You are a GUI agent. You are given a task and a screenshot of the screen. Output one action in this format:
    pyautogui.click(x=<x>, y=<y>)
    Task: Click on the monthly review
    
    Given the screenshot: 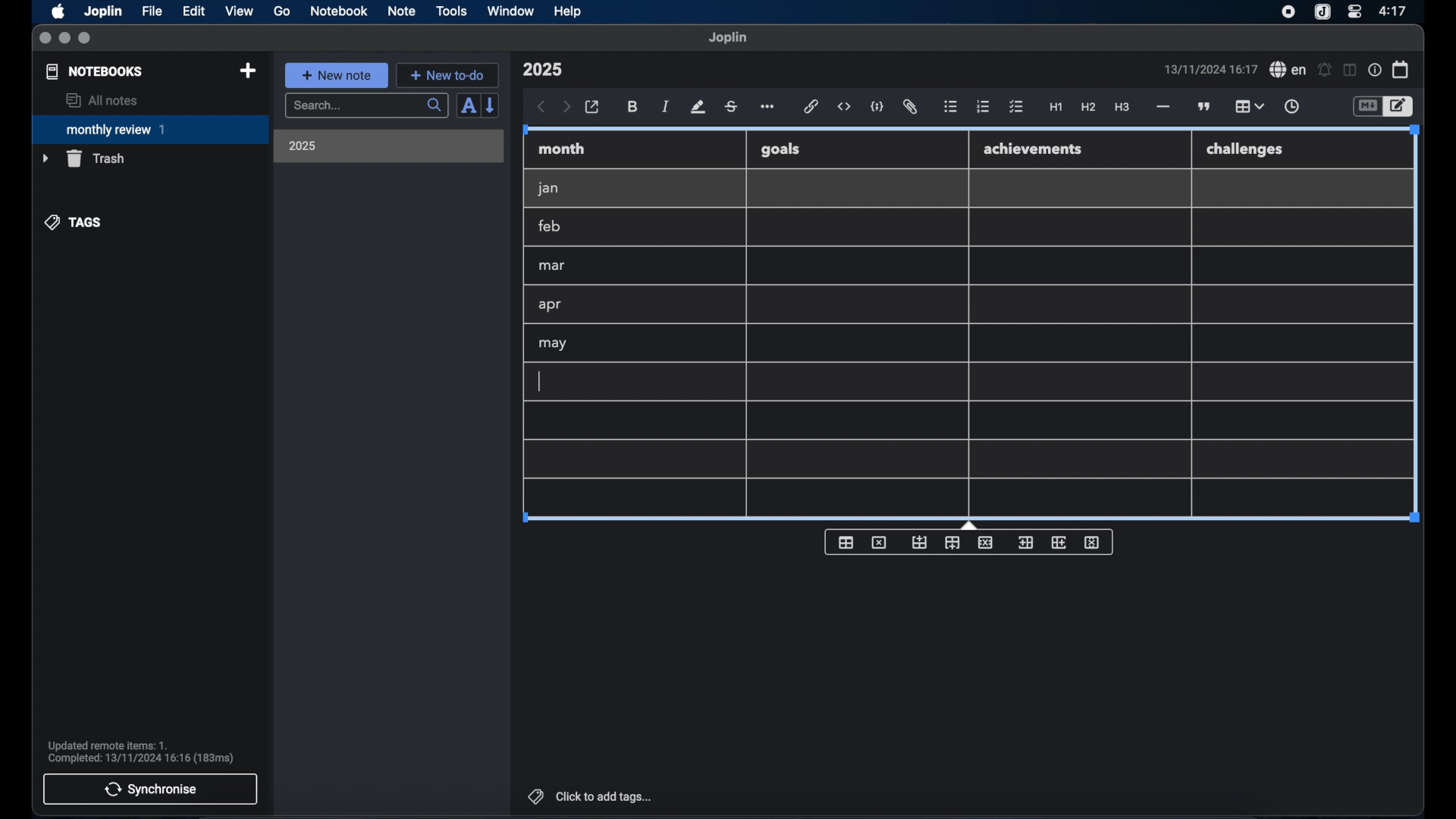 What is the action you would take?
    pyautogui.click(x=150, y=128)
    